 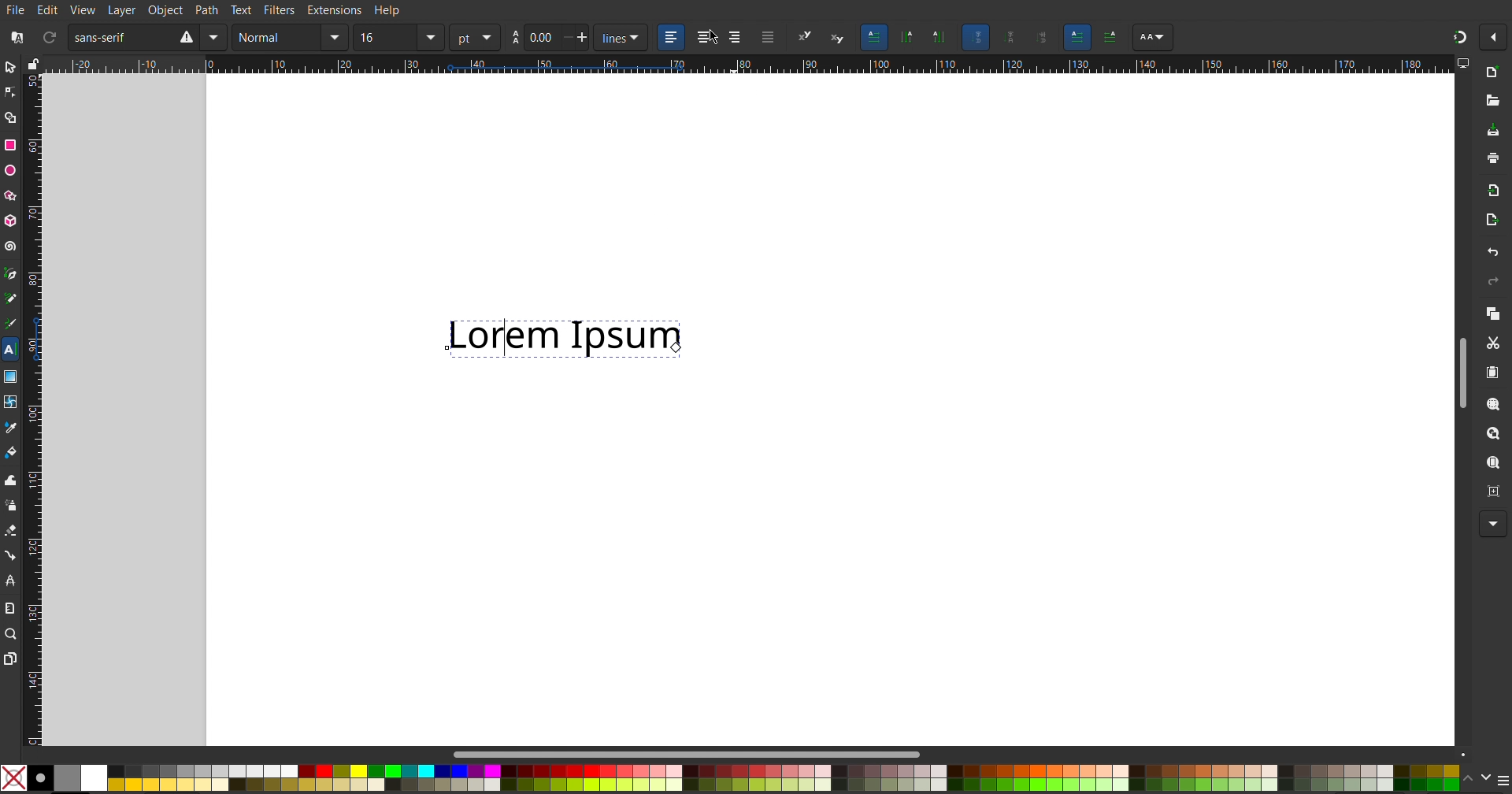 I want to click on Redo, so click(x=1494, y=282).